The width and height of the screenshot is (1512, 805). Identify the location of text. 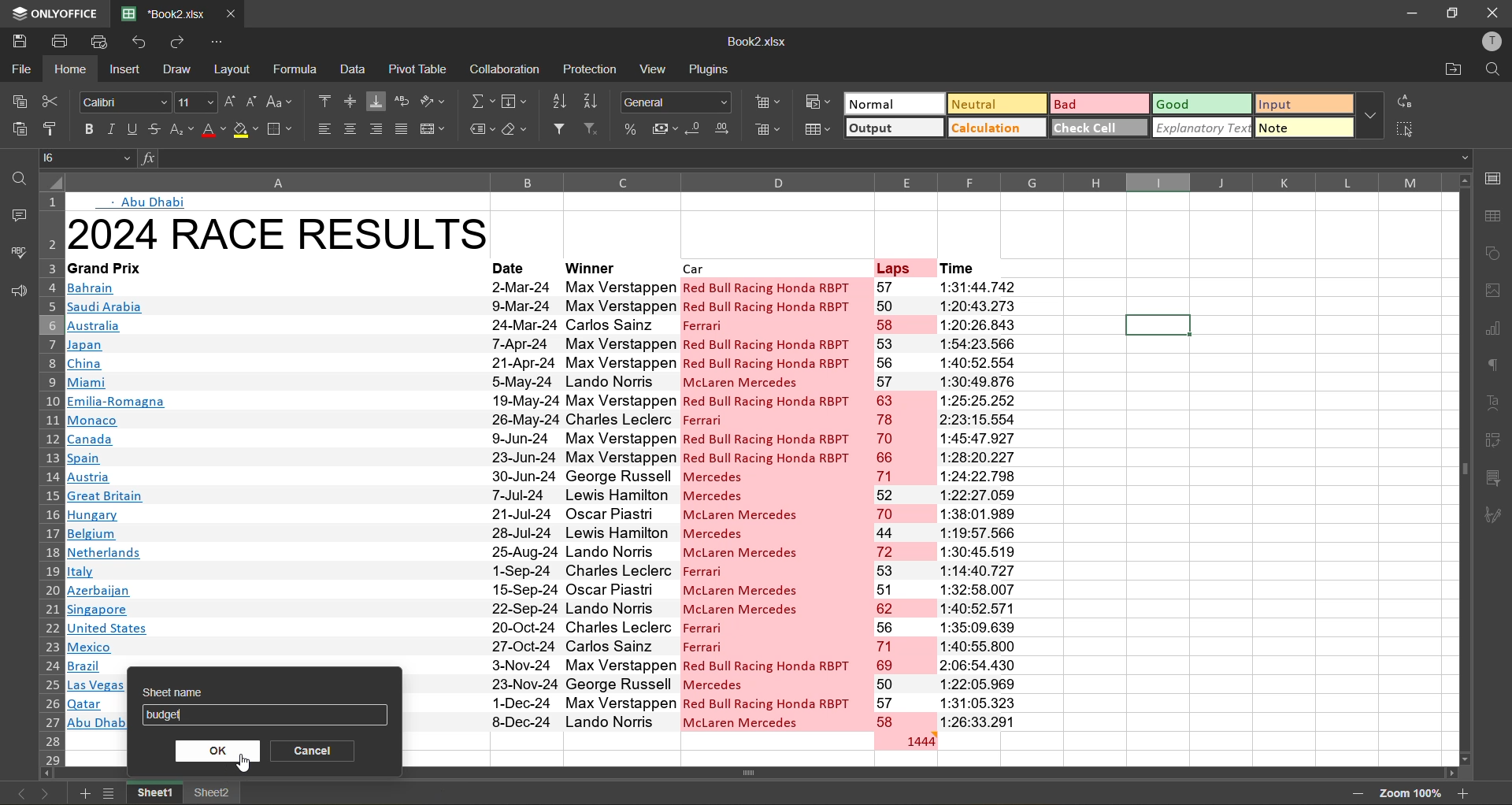
(1496, 406).